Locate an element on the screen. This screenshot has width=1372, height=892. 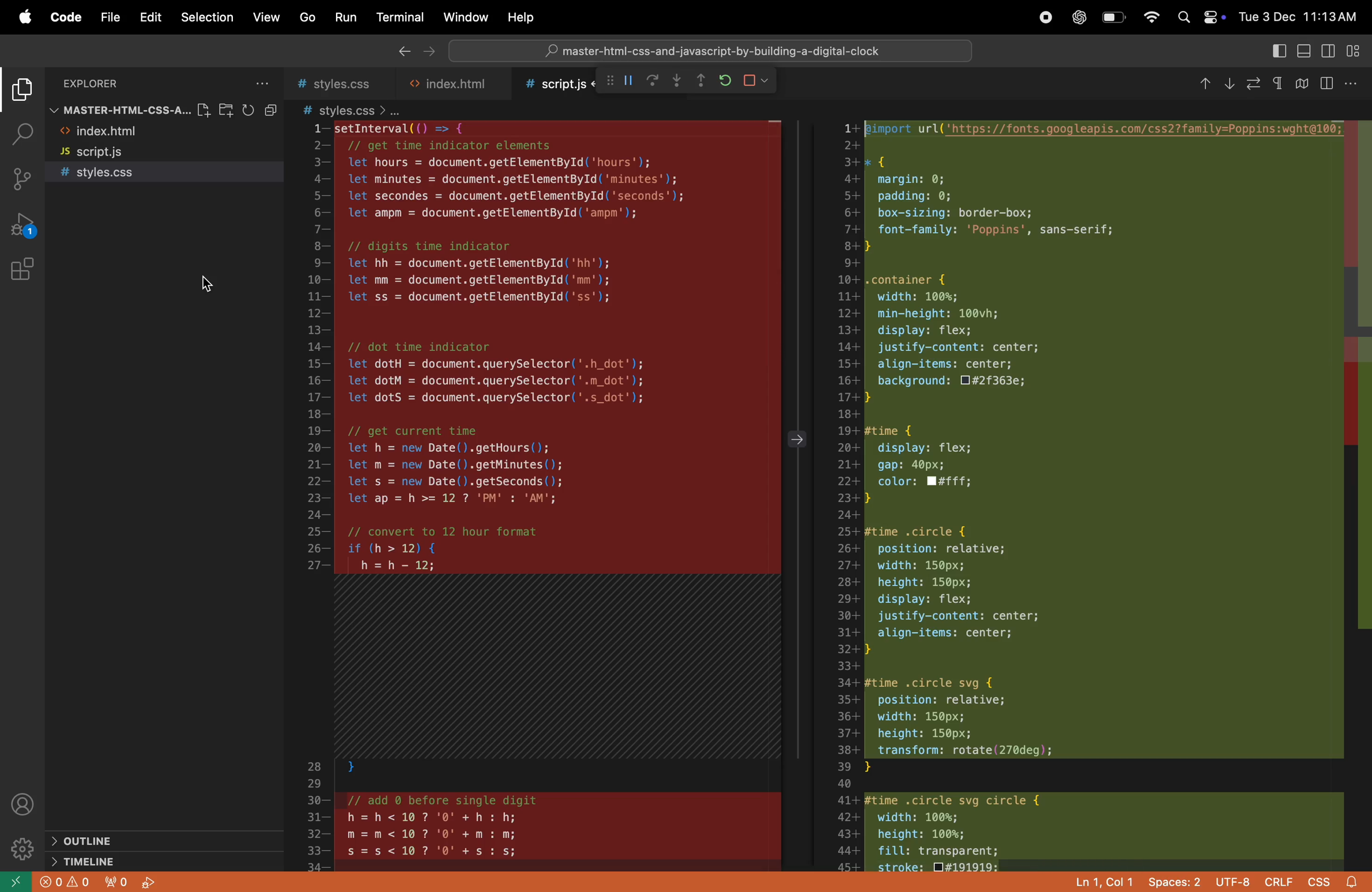
html file is located at coordinates (126, 133).